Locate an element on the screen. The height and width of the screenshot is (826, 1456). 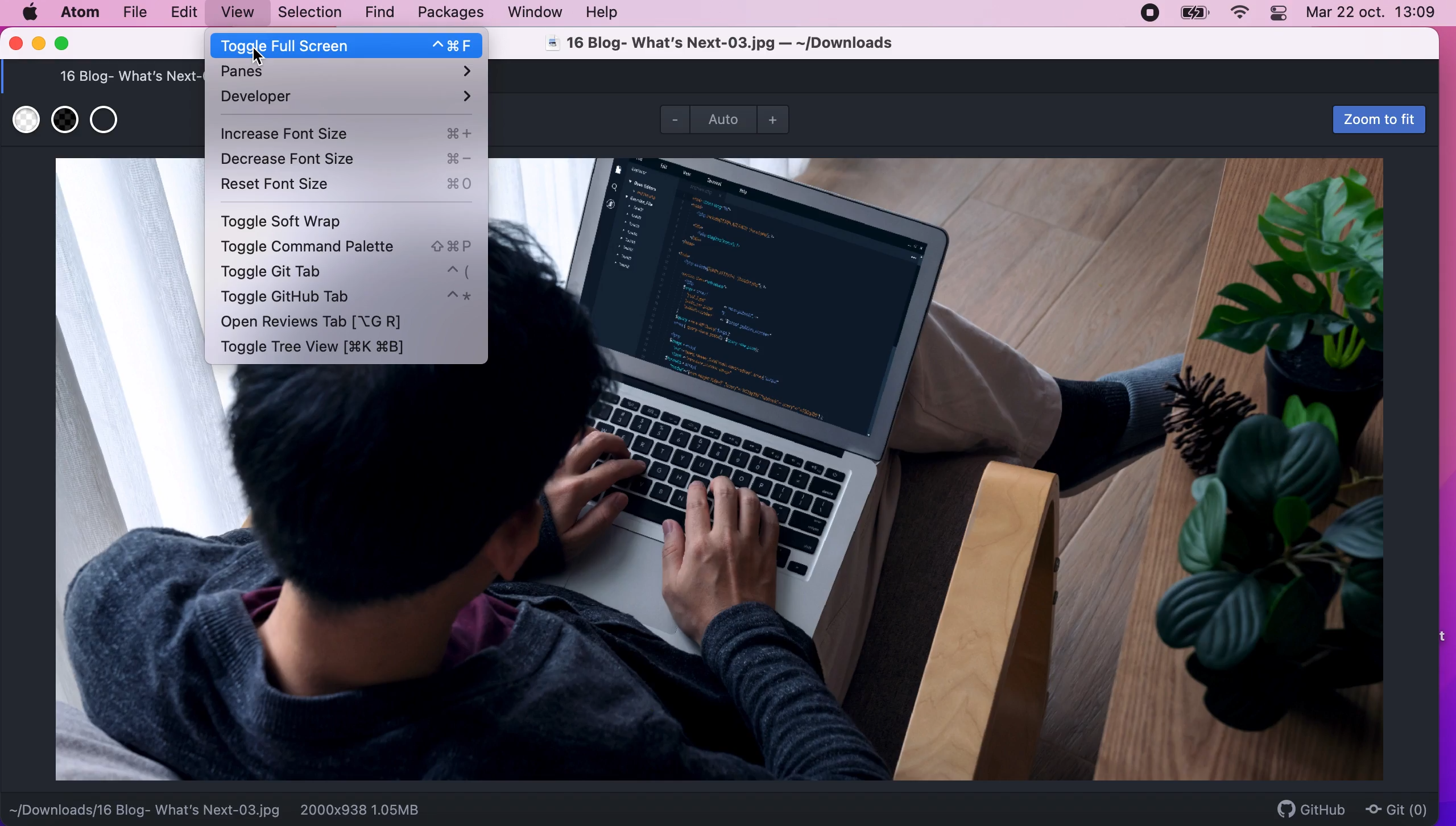
git is located at coordinates (1400, 808).